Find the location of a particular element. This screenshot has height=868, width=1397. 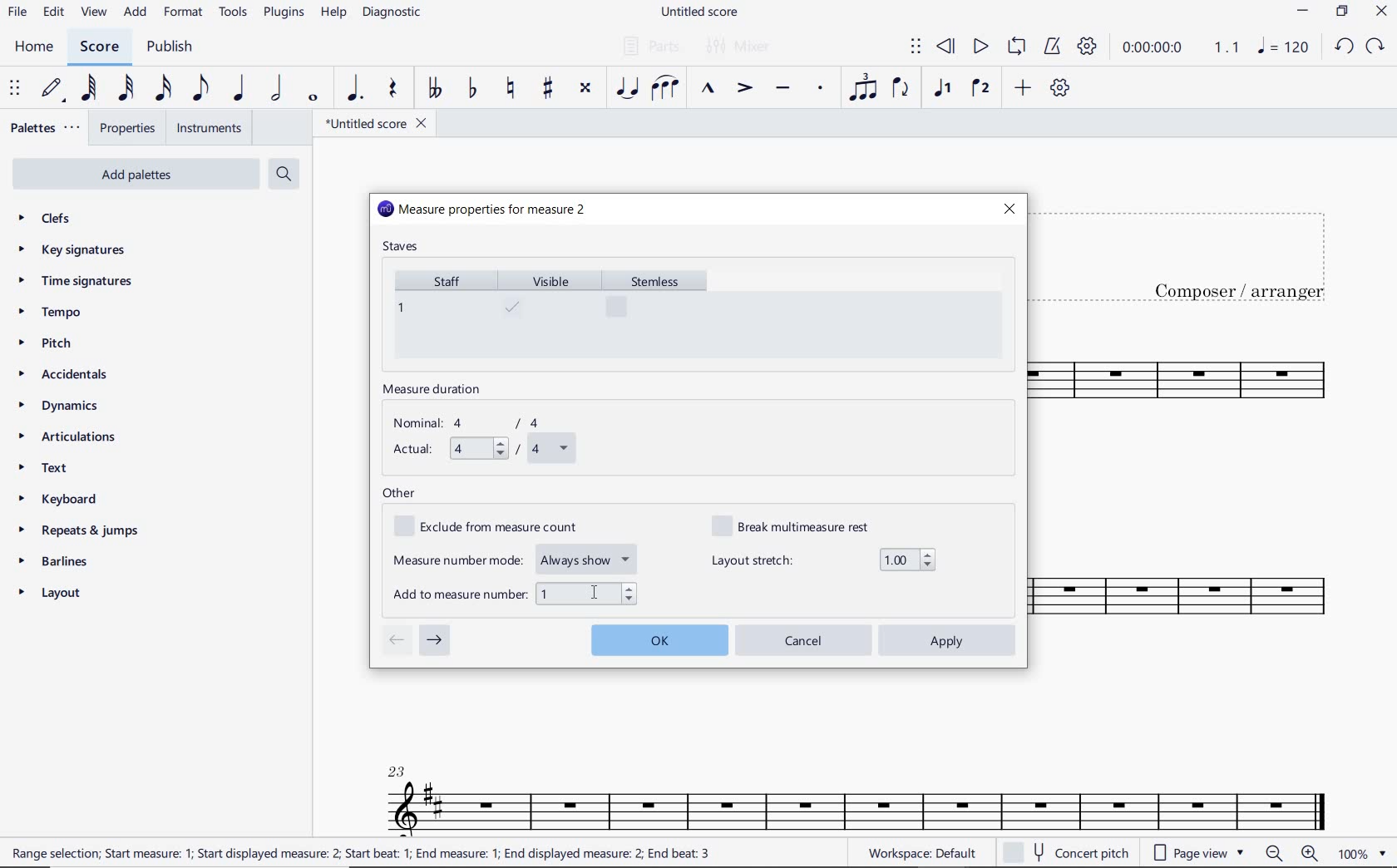

TEXT is located at coordinates (47, 470).